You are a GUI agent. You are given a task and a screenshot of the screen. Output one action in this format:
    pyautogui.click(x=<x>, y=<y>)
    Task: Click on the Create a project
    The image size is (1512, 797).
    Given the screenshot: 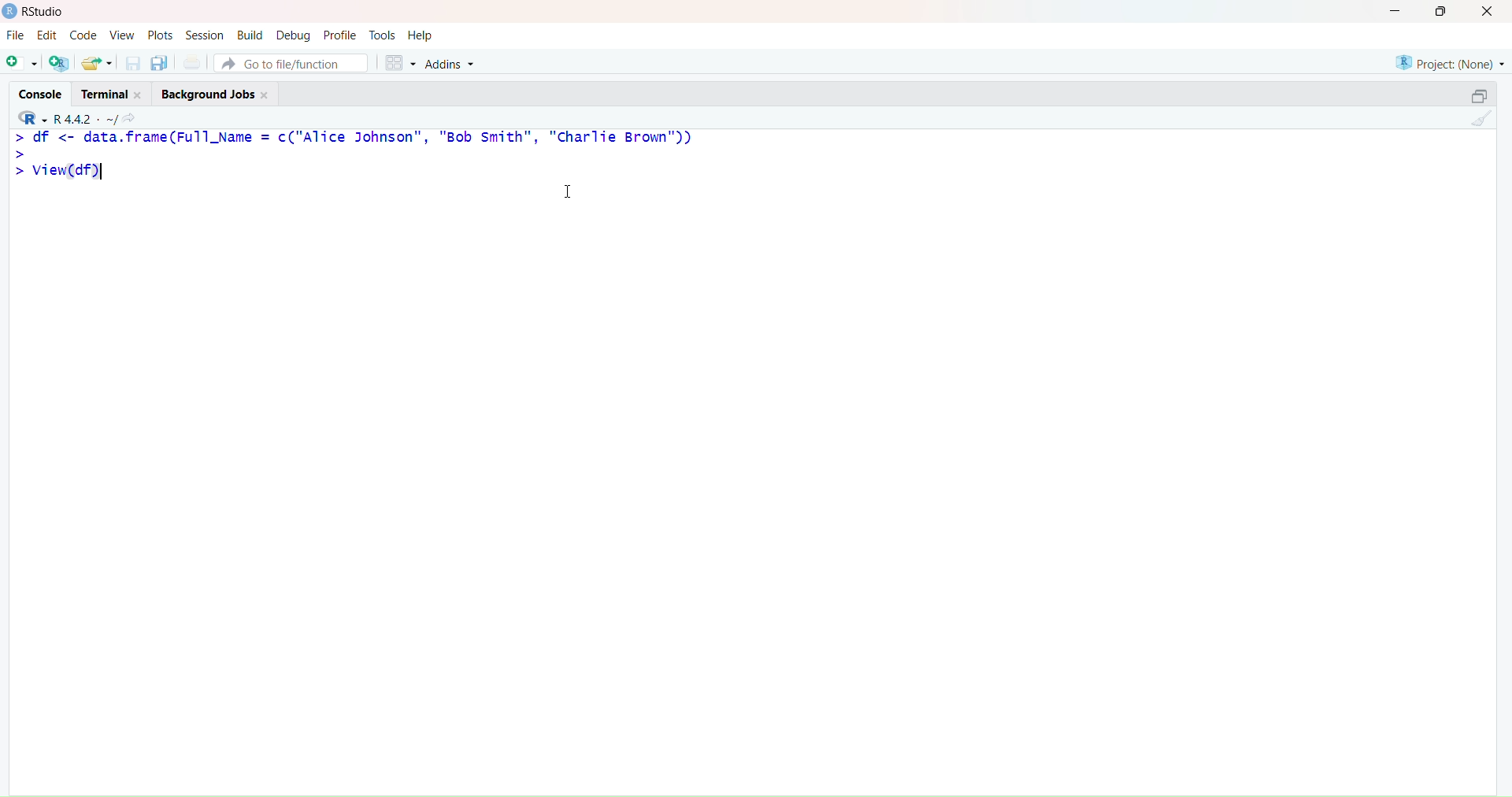 What is the action you would take?
    pyautogui.click(x=60, y=63)
    